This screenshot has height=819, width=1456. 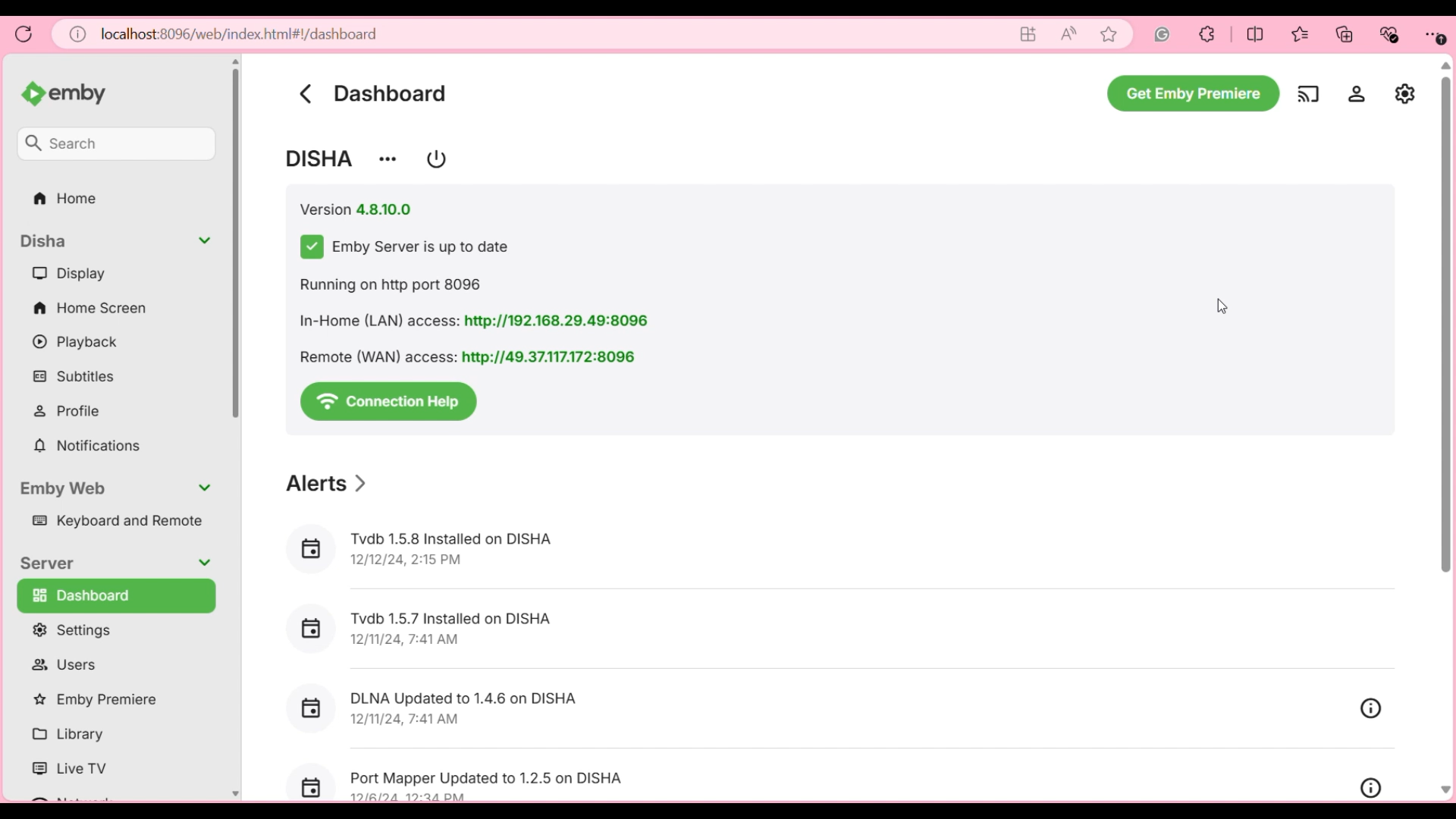 I want to click on Home, current selection highlighted, so click(x=115, y=199).